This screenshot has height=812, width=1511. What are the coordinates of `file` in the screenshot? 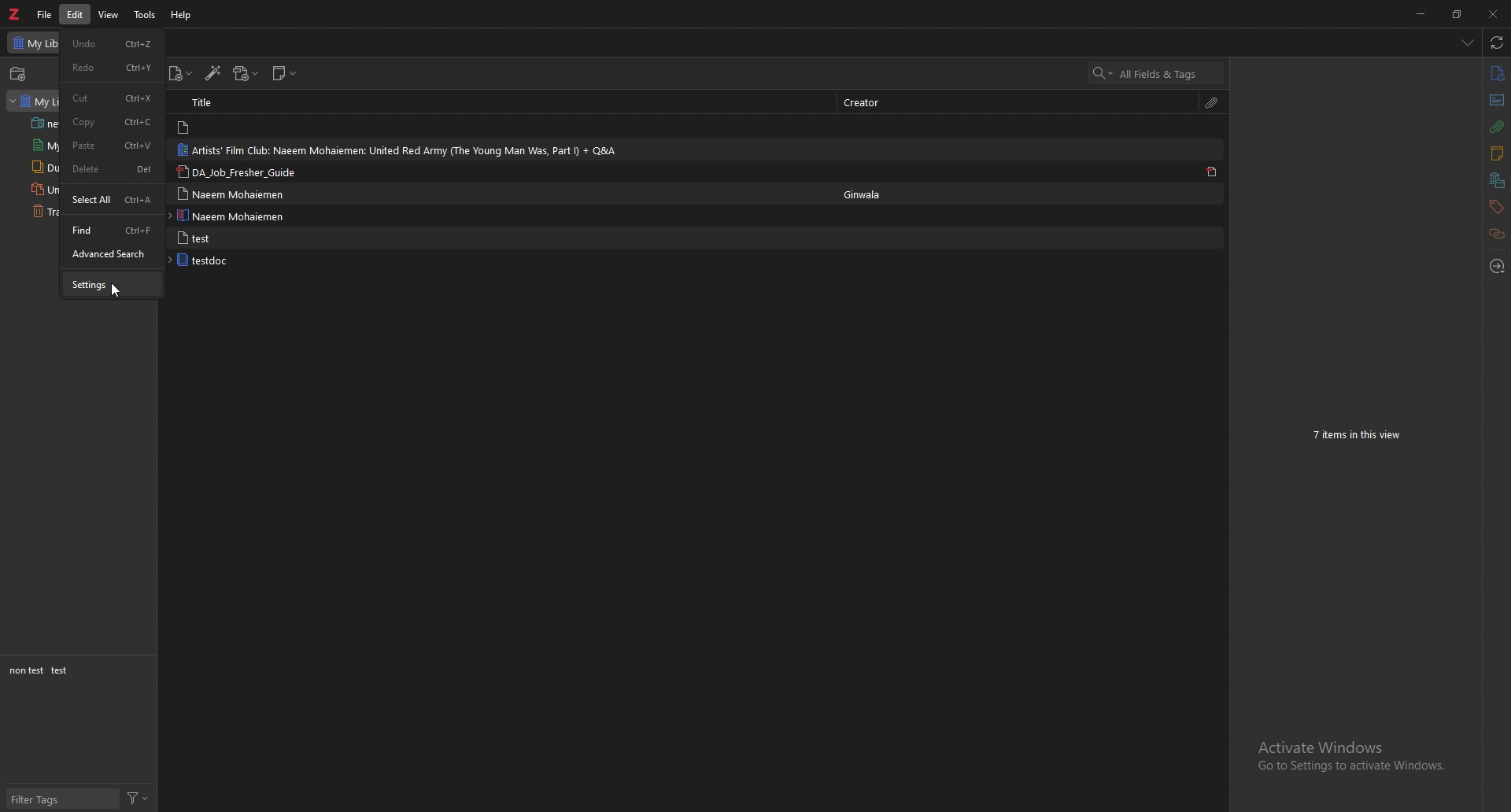 It's located at (45, 15).